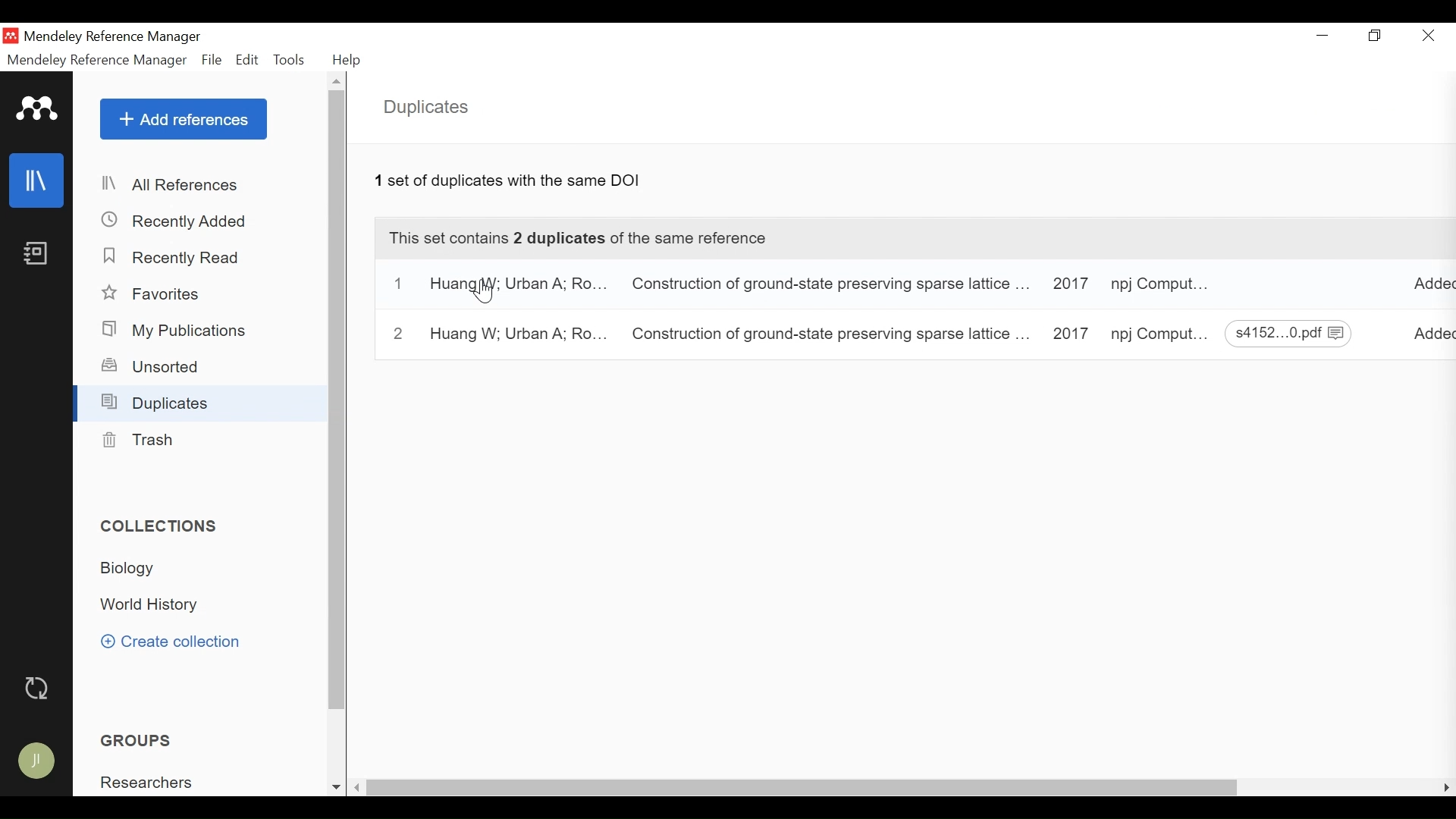 Image resolution: width=1456 pixels, height=819 pixels. I want to click on Cursor, so click(486, 296).